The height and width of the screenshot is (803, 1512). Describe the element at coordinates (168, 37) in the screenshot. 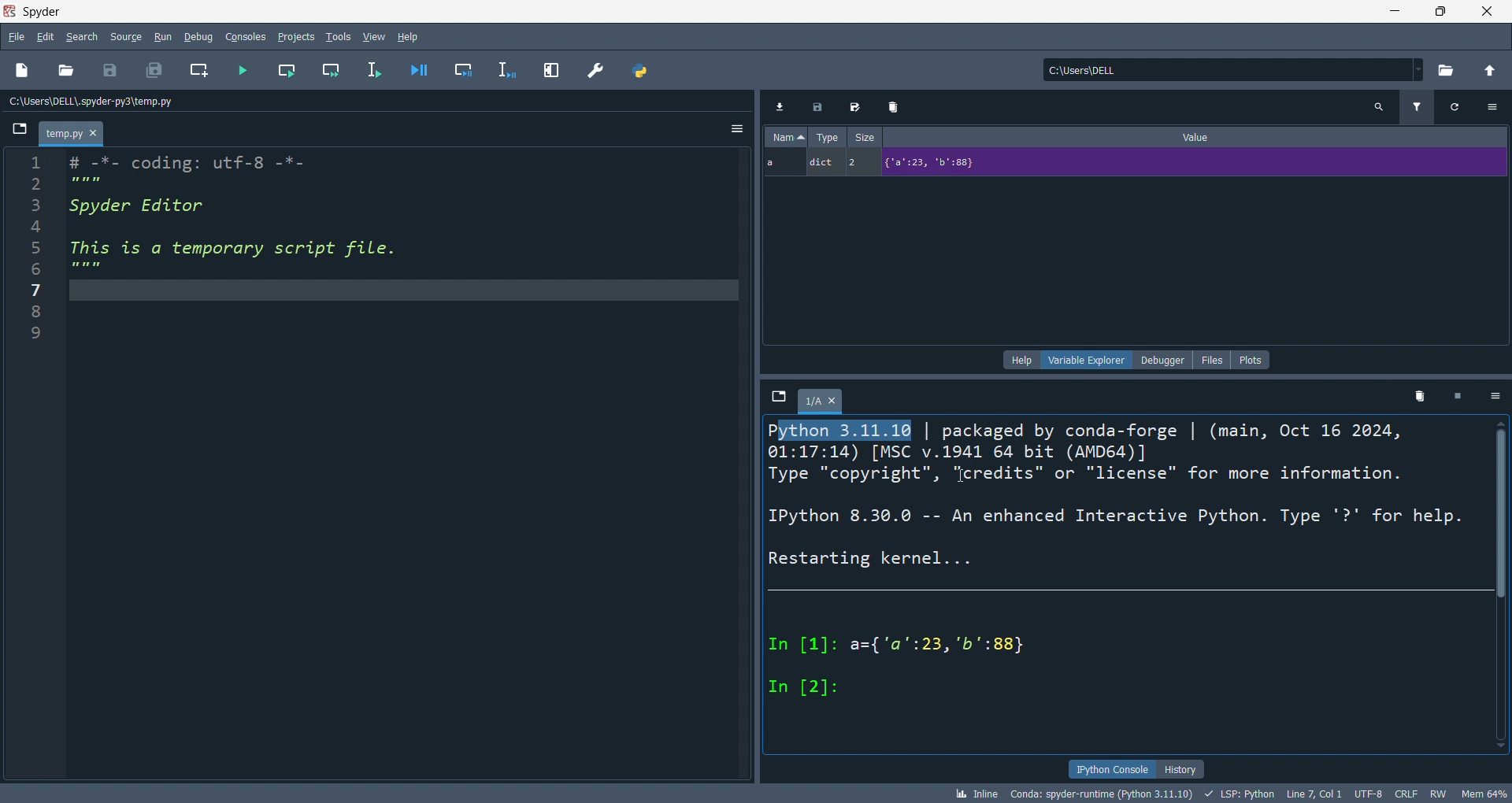

I see `run` at that location.